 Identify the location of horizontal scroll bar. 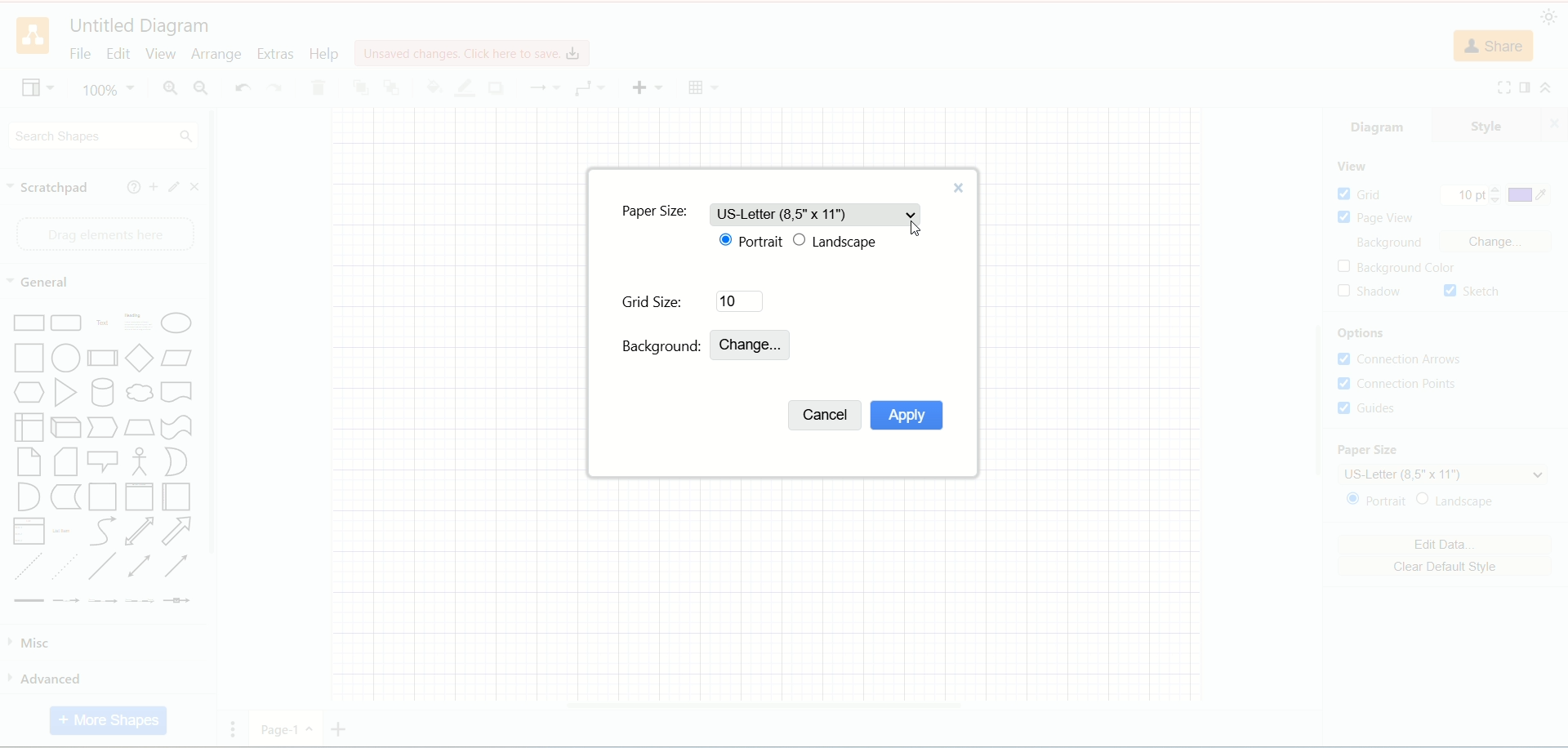
(763, 709).